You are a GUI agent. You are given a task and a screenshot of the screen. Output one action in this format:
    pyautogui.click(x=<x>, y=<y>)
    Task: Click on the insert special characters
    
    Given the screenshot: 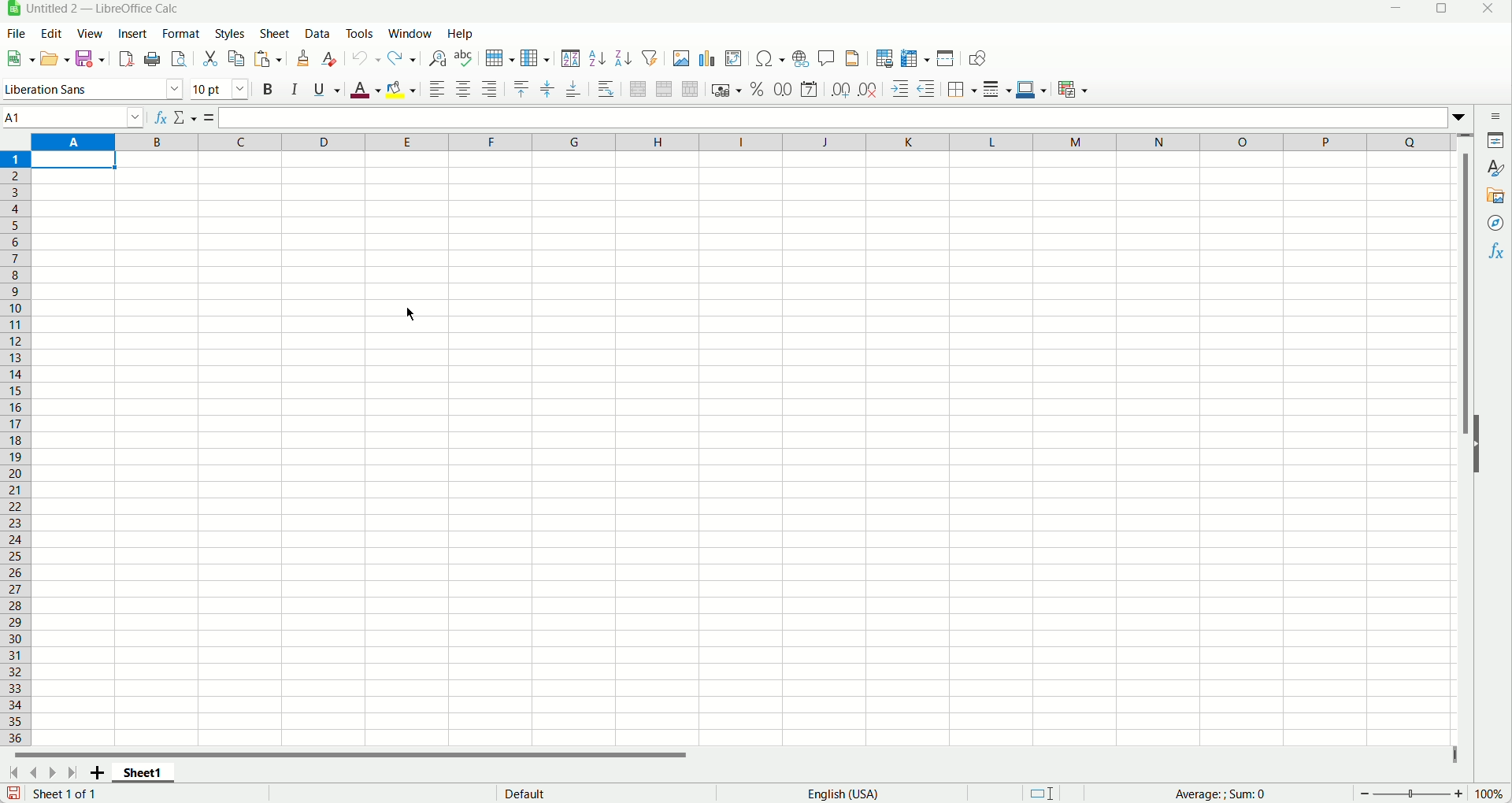 What is the action you would take?
    pyautogui.click(x=770, y=58)
    